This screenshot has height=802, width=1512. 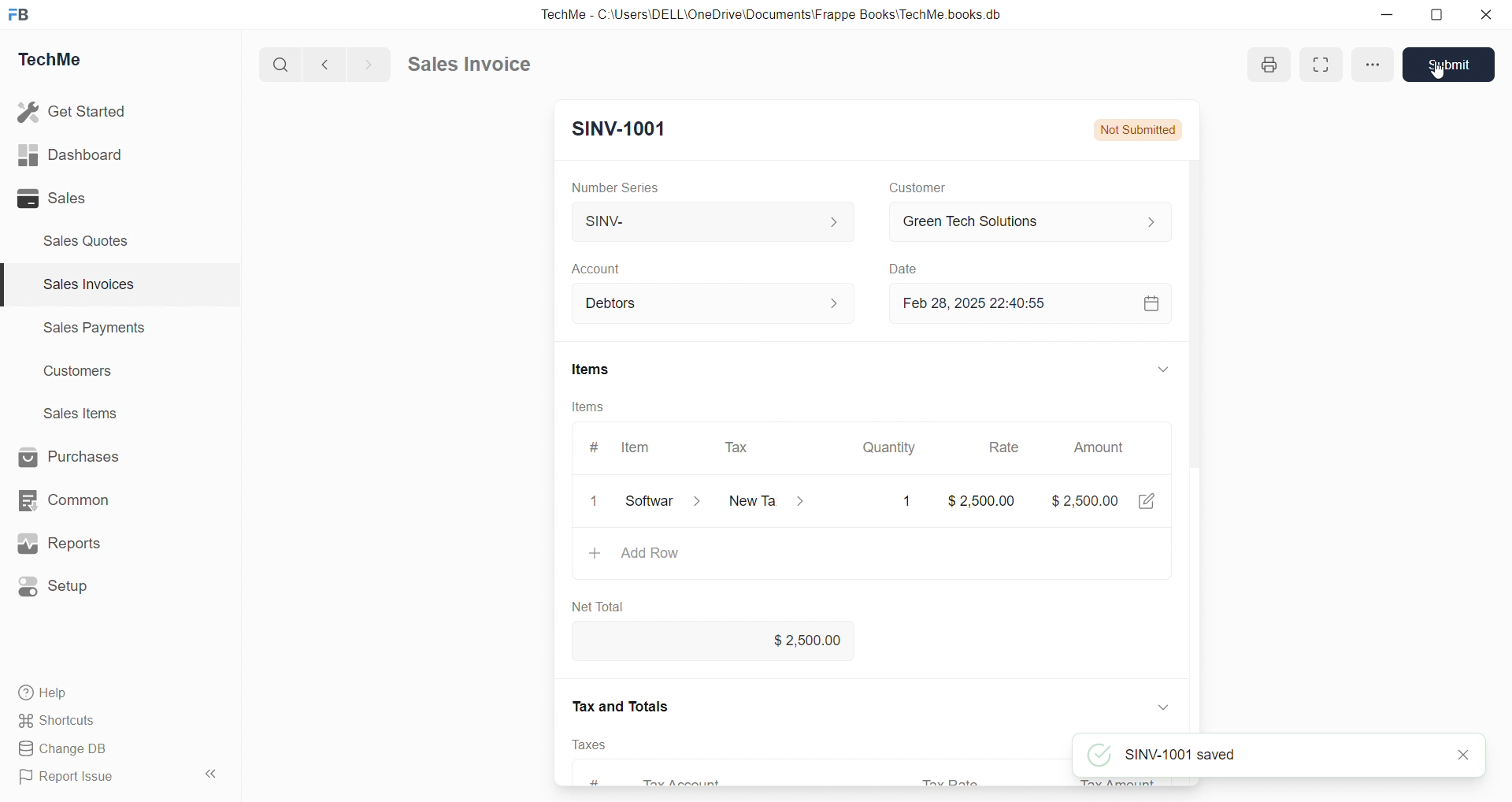 What do you see at coordinates (1449, 64) in the screenshot?
I see `Submit` at bounding box center [1449, 64].